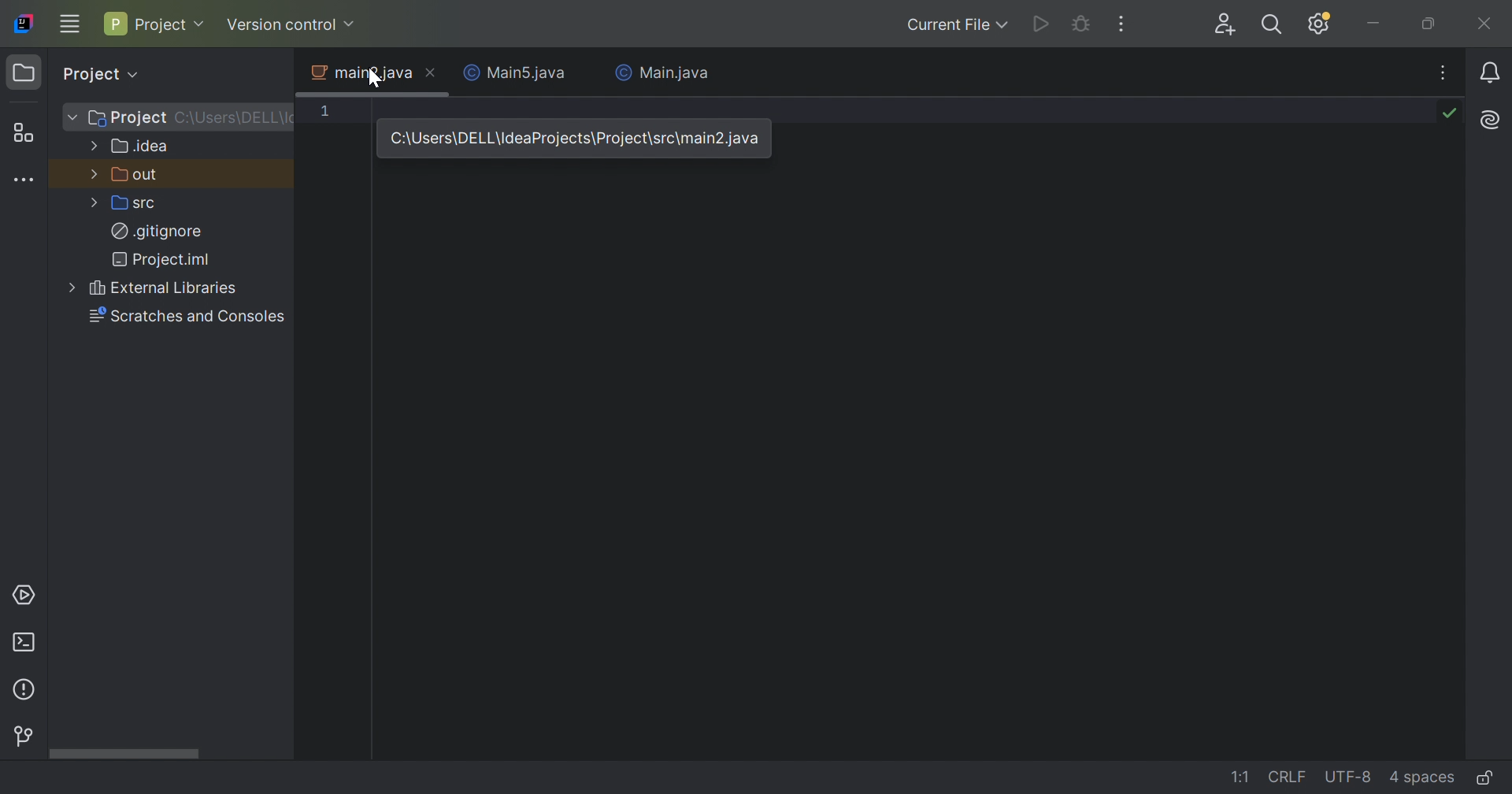 The height and width of the screenshot is (794, 1512). What do you see at coordinates (23, 132) in the screenshot?
I see `Structure` at bounding box center [23, 132].